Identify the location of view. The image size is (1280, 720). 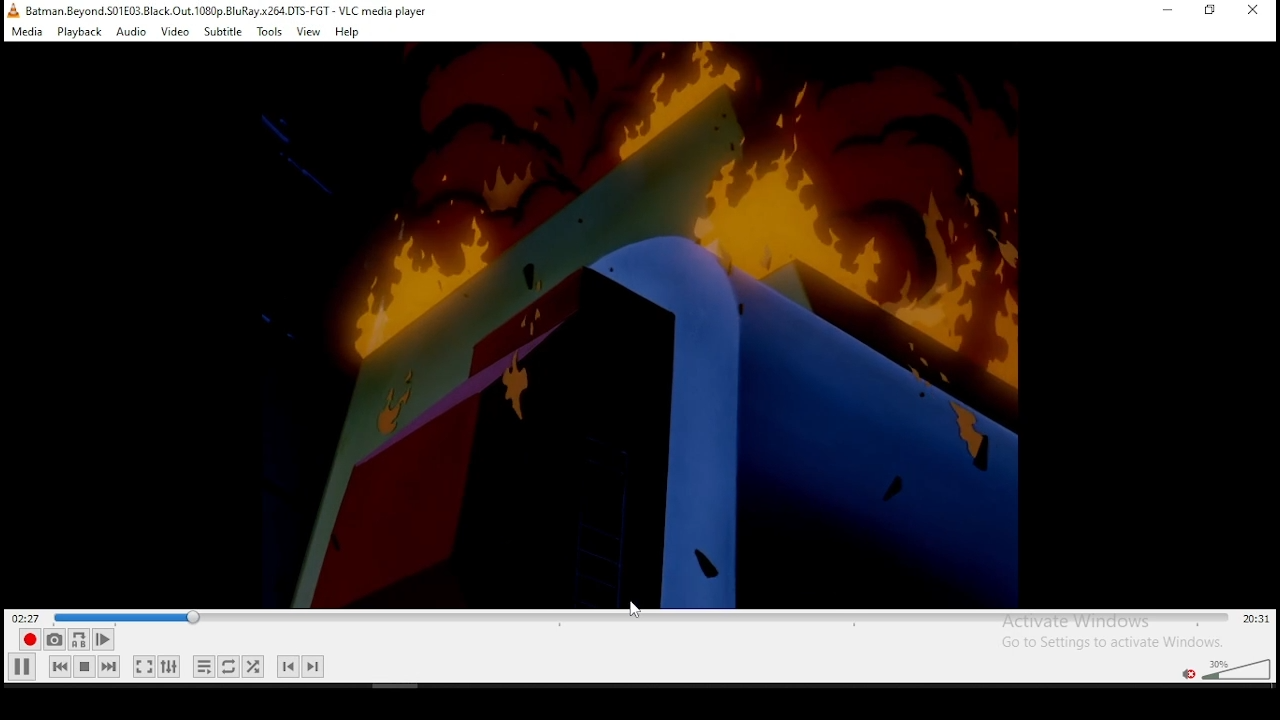
(309, 31).